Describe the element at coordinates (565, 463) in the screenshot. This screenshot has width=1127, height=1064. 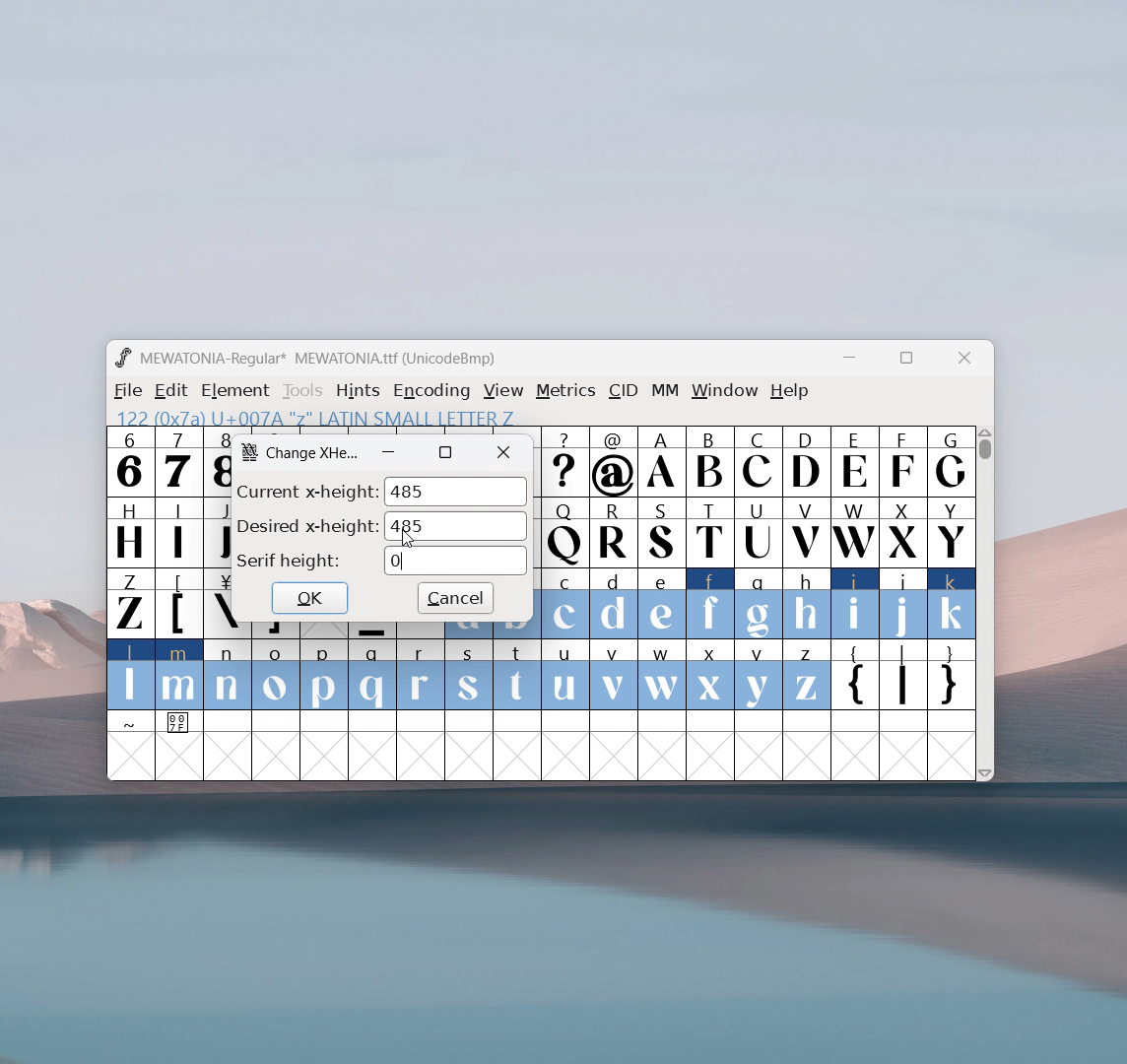
I see `?` at that location.